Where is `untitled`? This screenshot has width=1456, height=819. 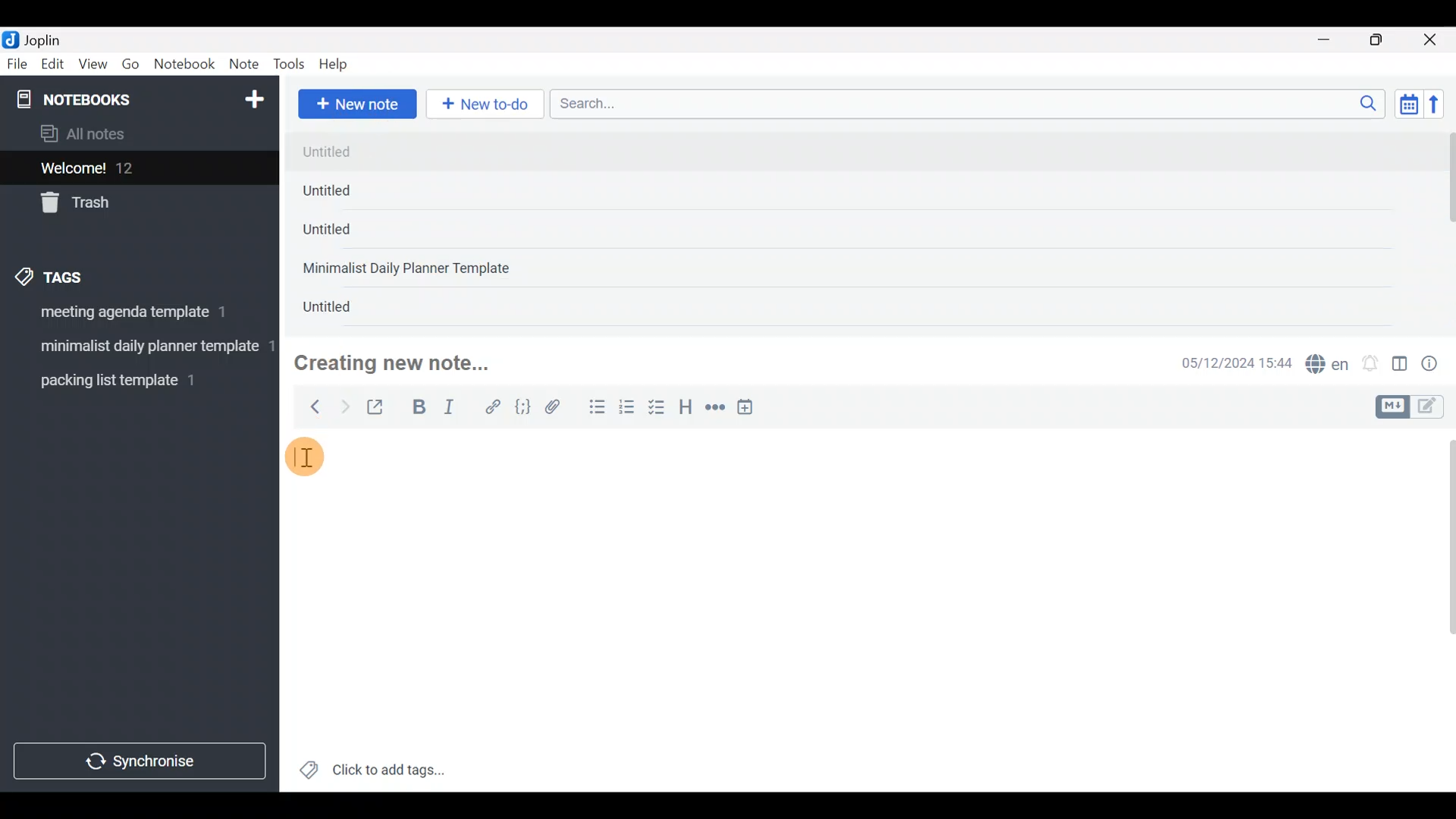
untitled is located at coordinates (353, 157).